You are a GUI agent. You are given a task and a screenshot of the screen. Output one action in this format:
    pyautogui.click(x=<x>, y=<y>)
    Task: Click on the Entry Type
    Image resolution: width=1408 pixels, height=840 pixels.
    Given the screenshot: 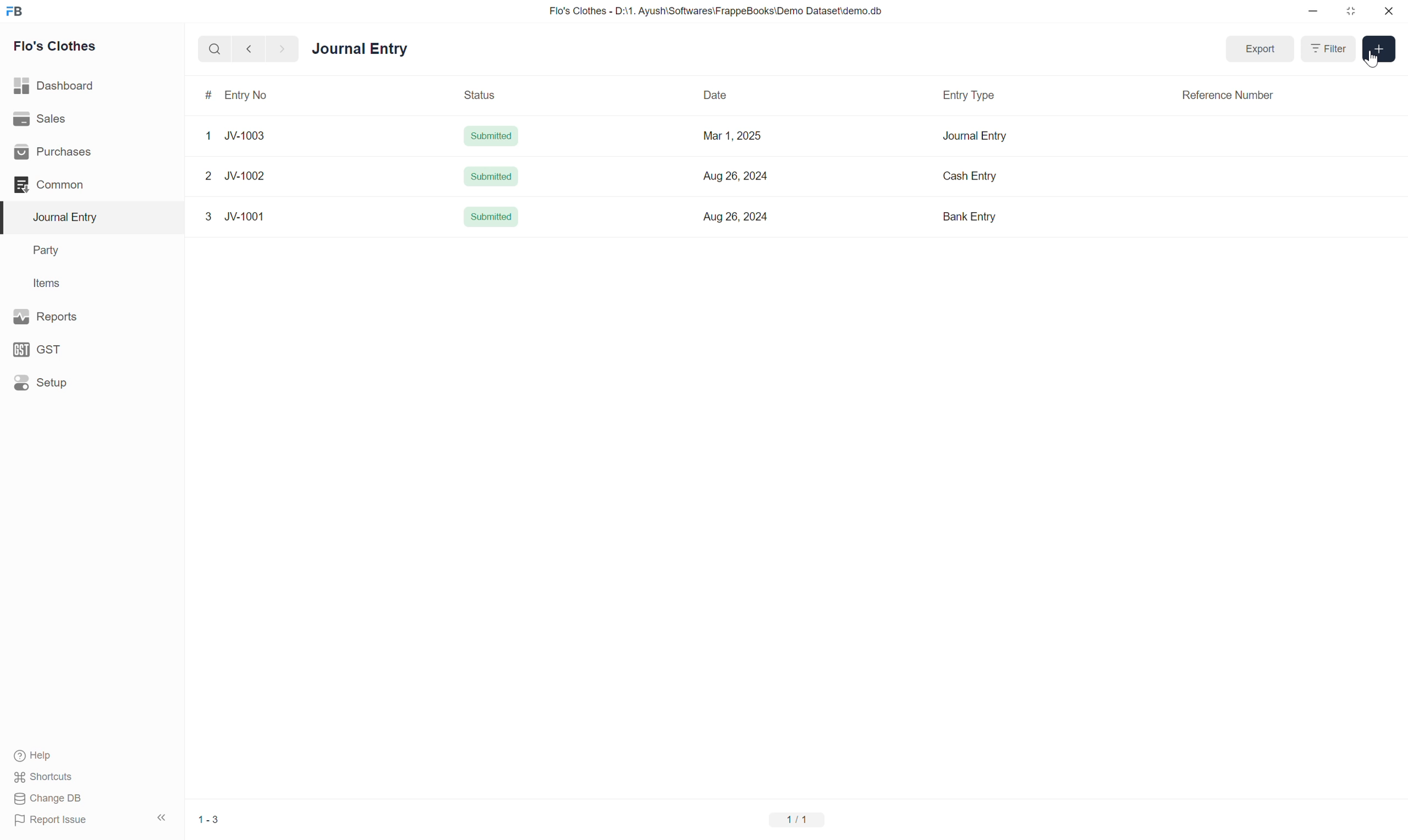 What is the action you would take?
    pyautogui.click(x=969, y=96)
    